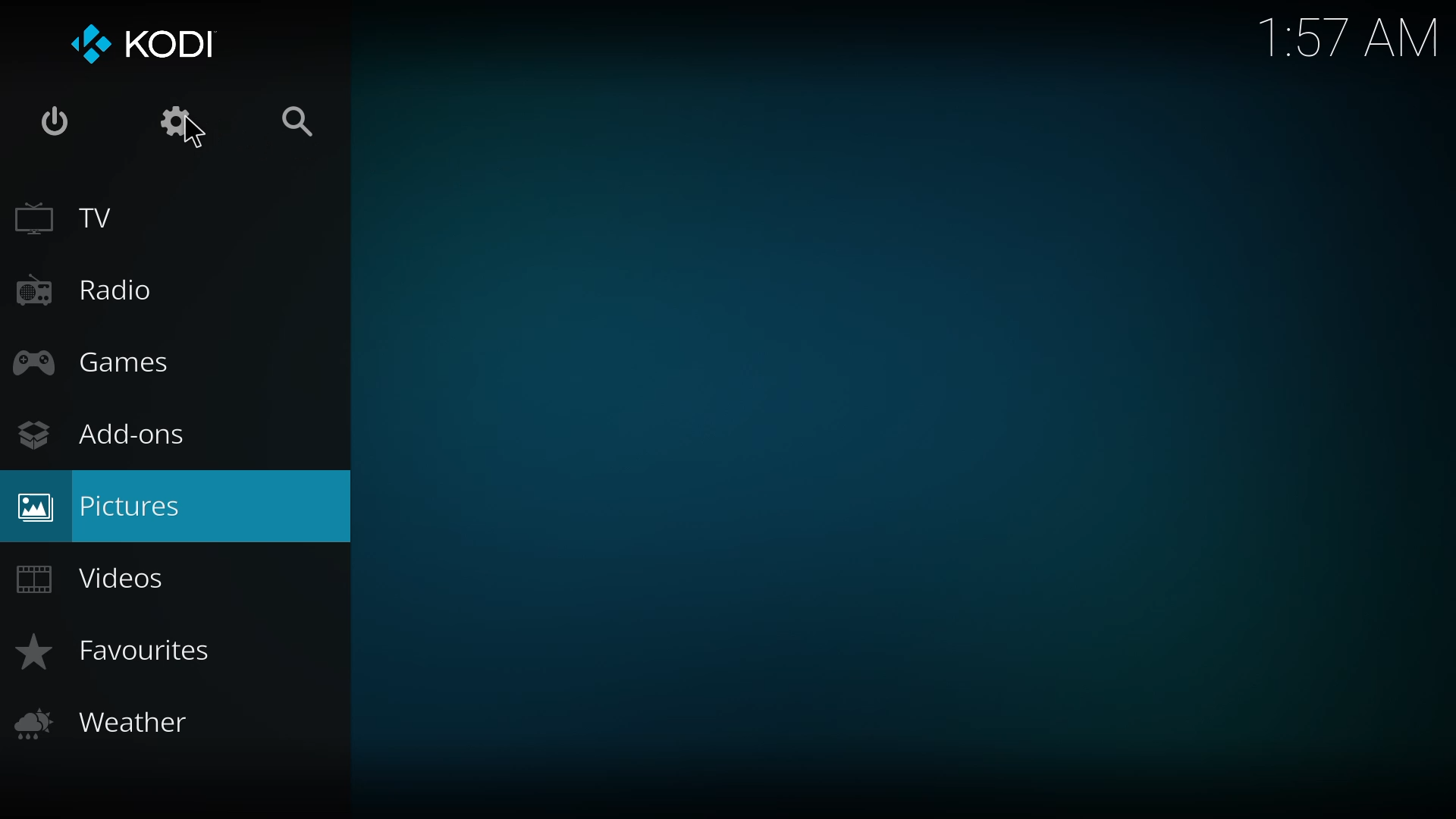 The width and height of the screenshot is (1456, 819). What do you see at coordinates (301, 121) in the screenshot?
I see `search` at bounding box center [301, 121].